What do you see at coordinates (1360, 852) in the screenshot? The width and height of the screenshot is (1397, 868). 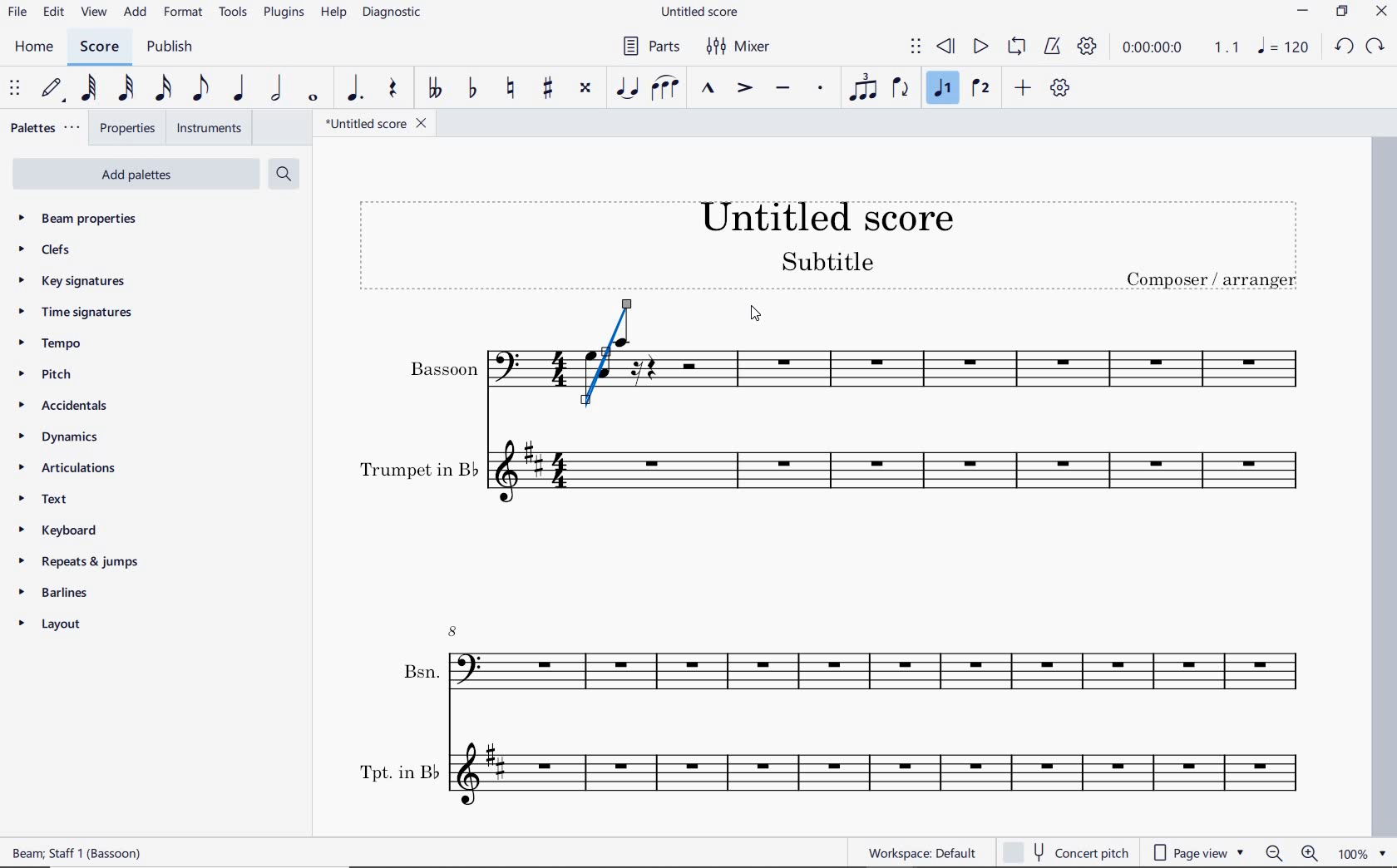 I see `zoom factor` at bounding box center [1360, 852].